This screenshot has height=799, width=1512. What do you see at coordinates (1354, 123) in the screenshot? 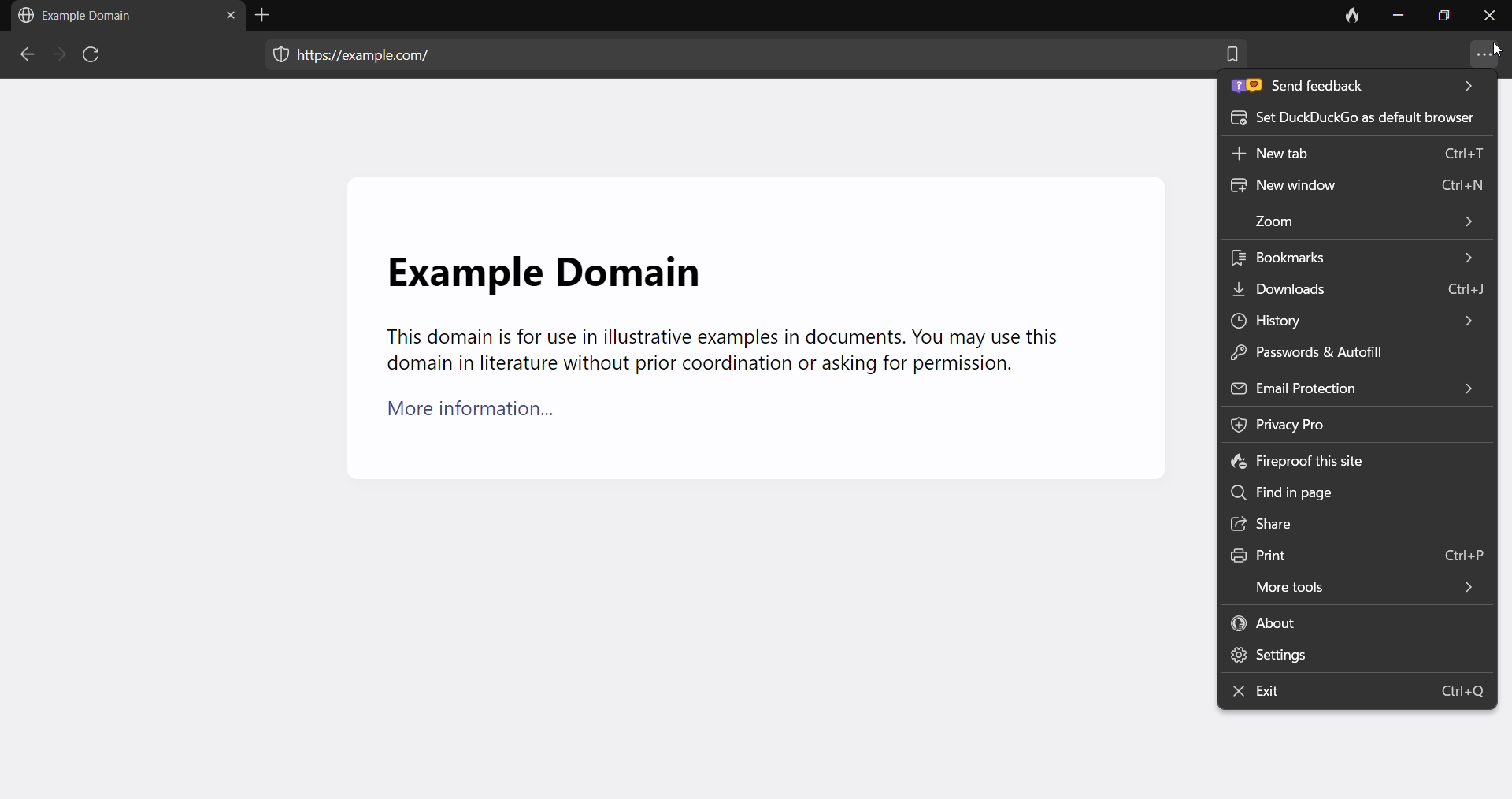
I see `set duckduckgo as default browser` at bounding box center [1354, 123].